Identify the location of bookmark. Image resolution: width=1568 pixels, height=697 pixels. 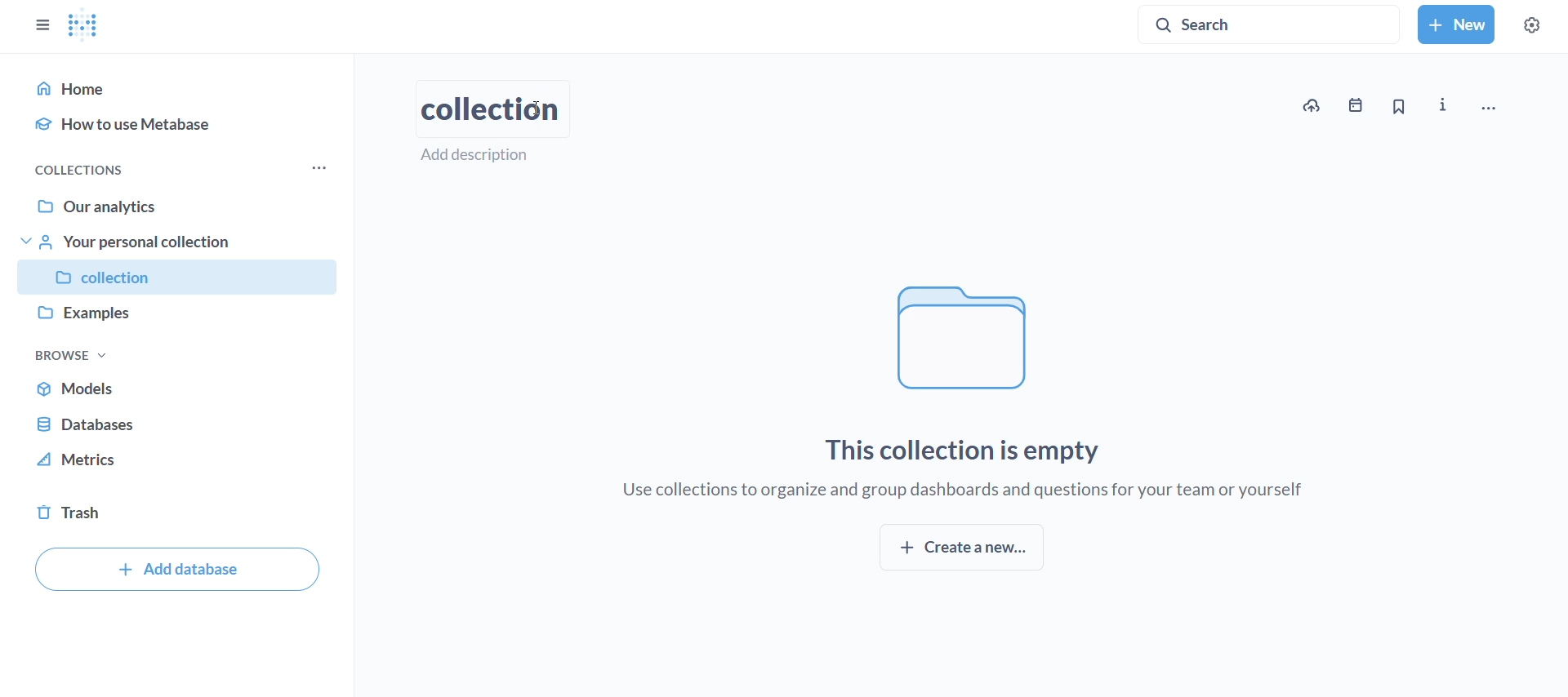
(1399, 108).